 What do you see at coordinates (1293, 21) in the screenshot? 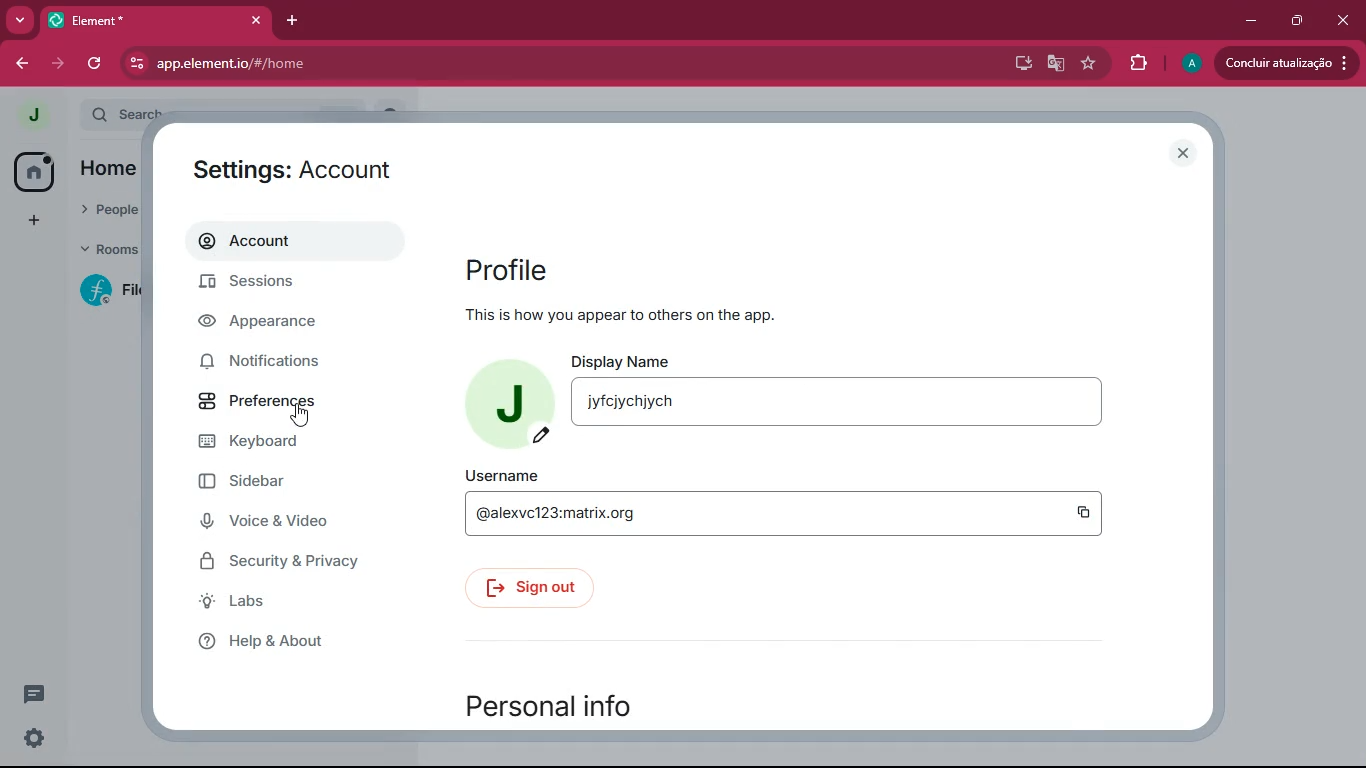
I see `maximize` at bounding box center [1293, 21].